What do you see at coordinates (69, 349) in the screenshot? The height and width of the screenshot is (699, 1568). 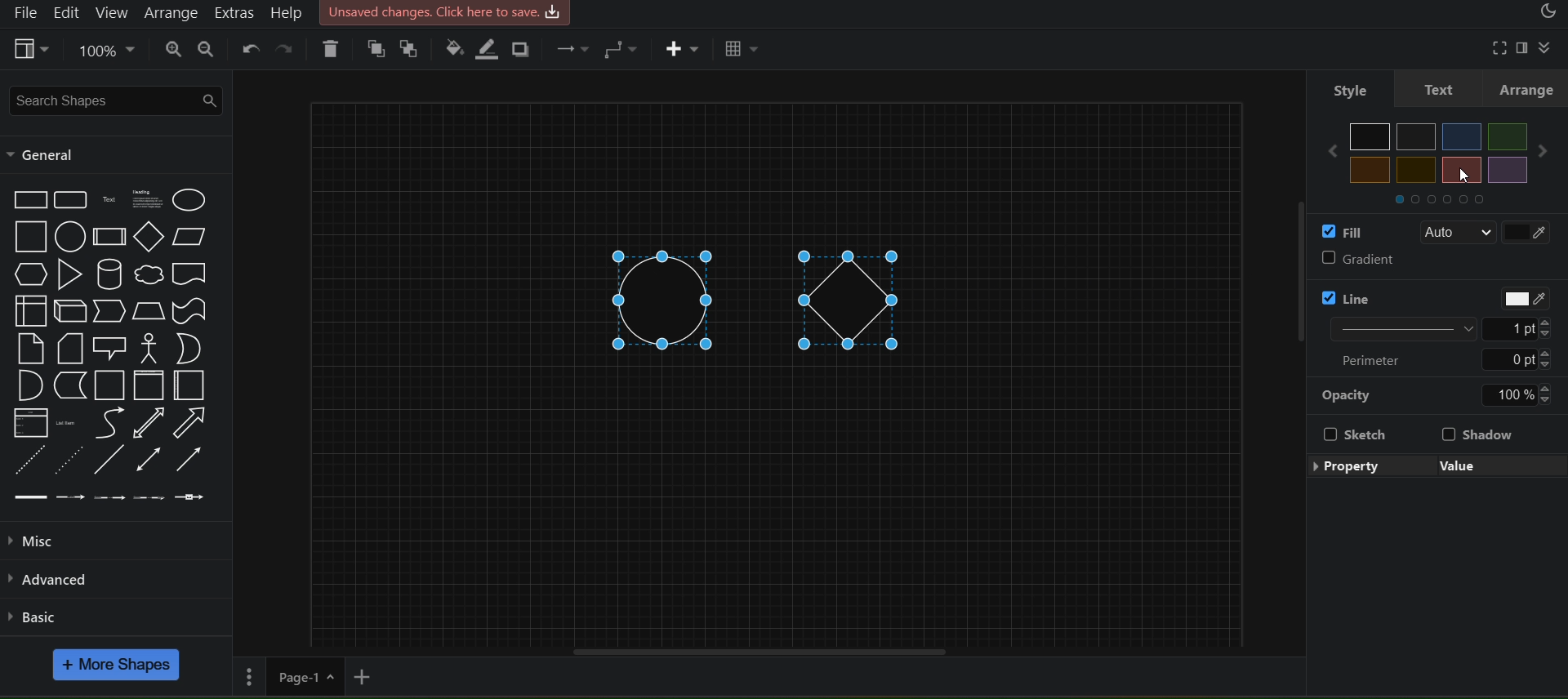 I see `Card` at bounding box center [69, 349].